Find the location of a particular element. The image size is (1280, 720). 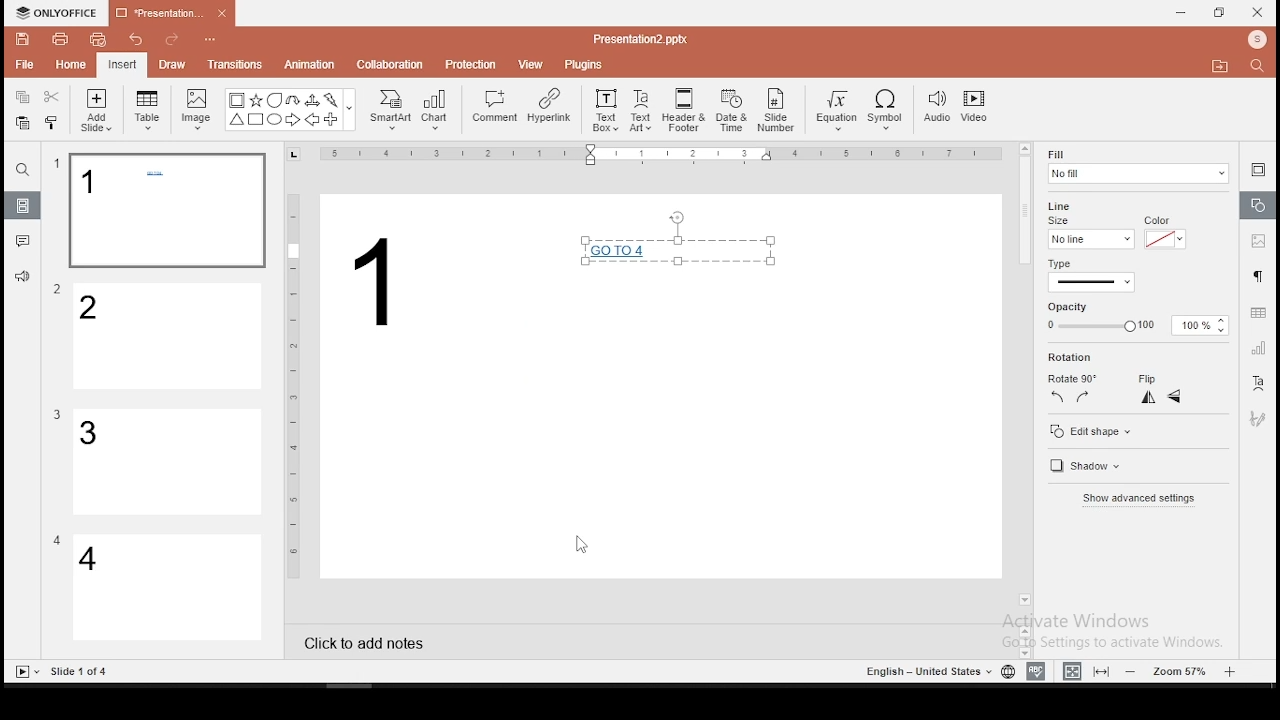

chart settings is located at coordinates (1257, 348).